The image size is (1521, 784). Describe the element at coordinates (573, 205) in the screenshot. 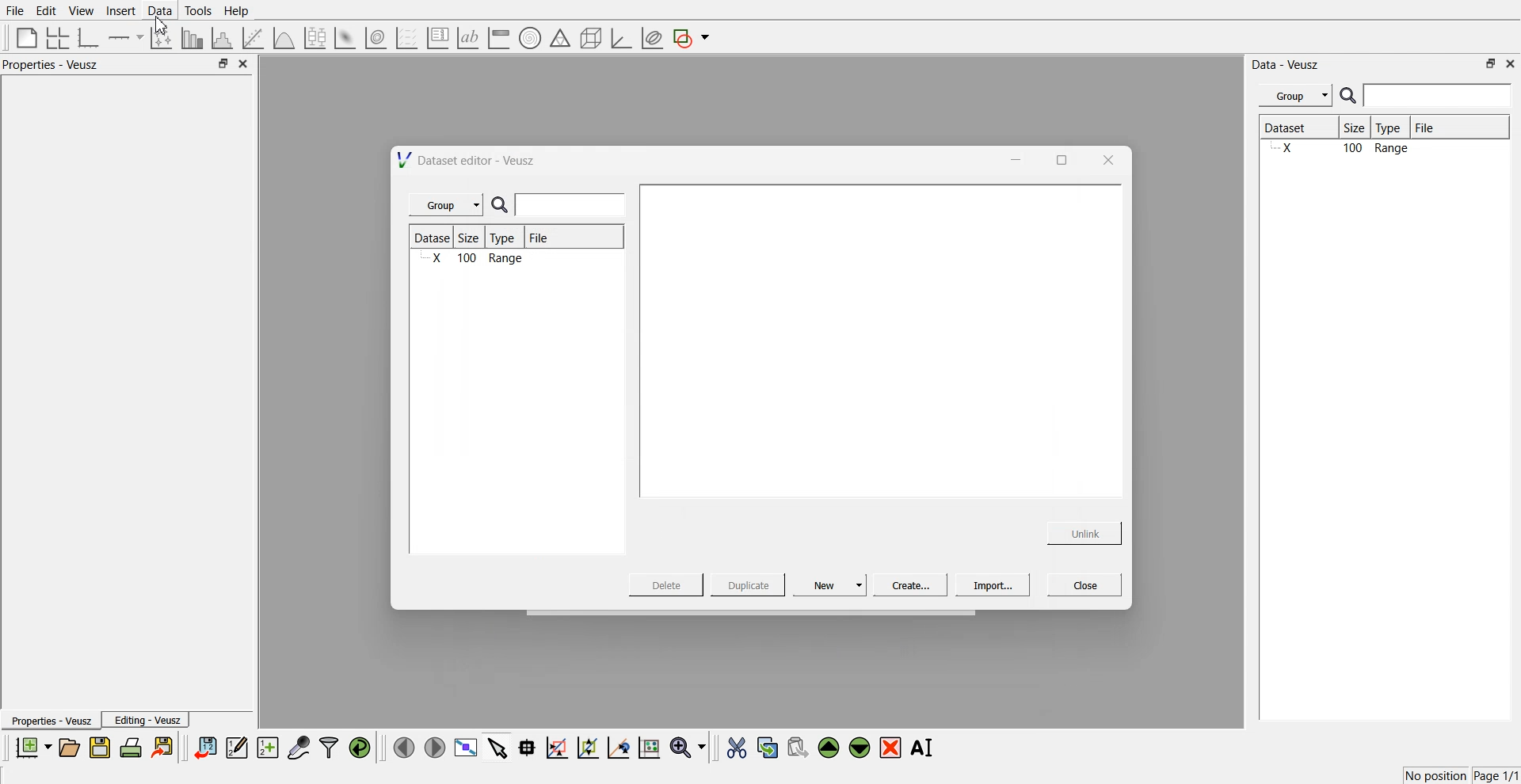

I see `enter search field` at that location.